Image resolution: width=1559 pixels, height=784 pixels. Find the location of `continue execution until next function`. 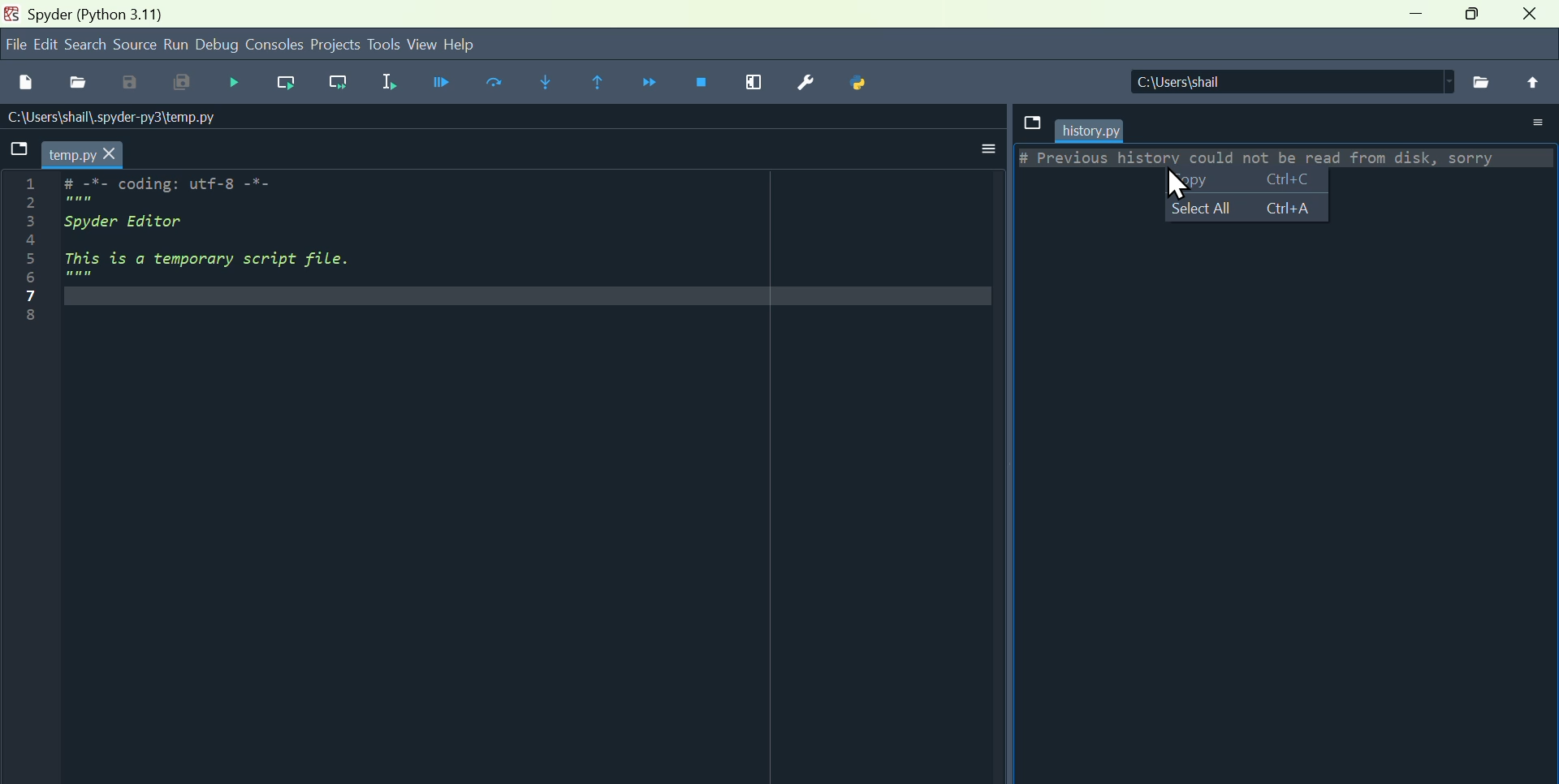

continue execution until next function is located at coordinates (653, 84).